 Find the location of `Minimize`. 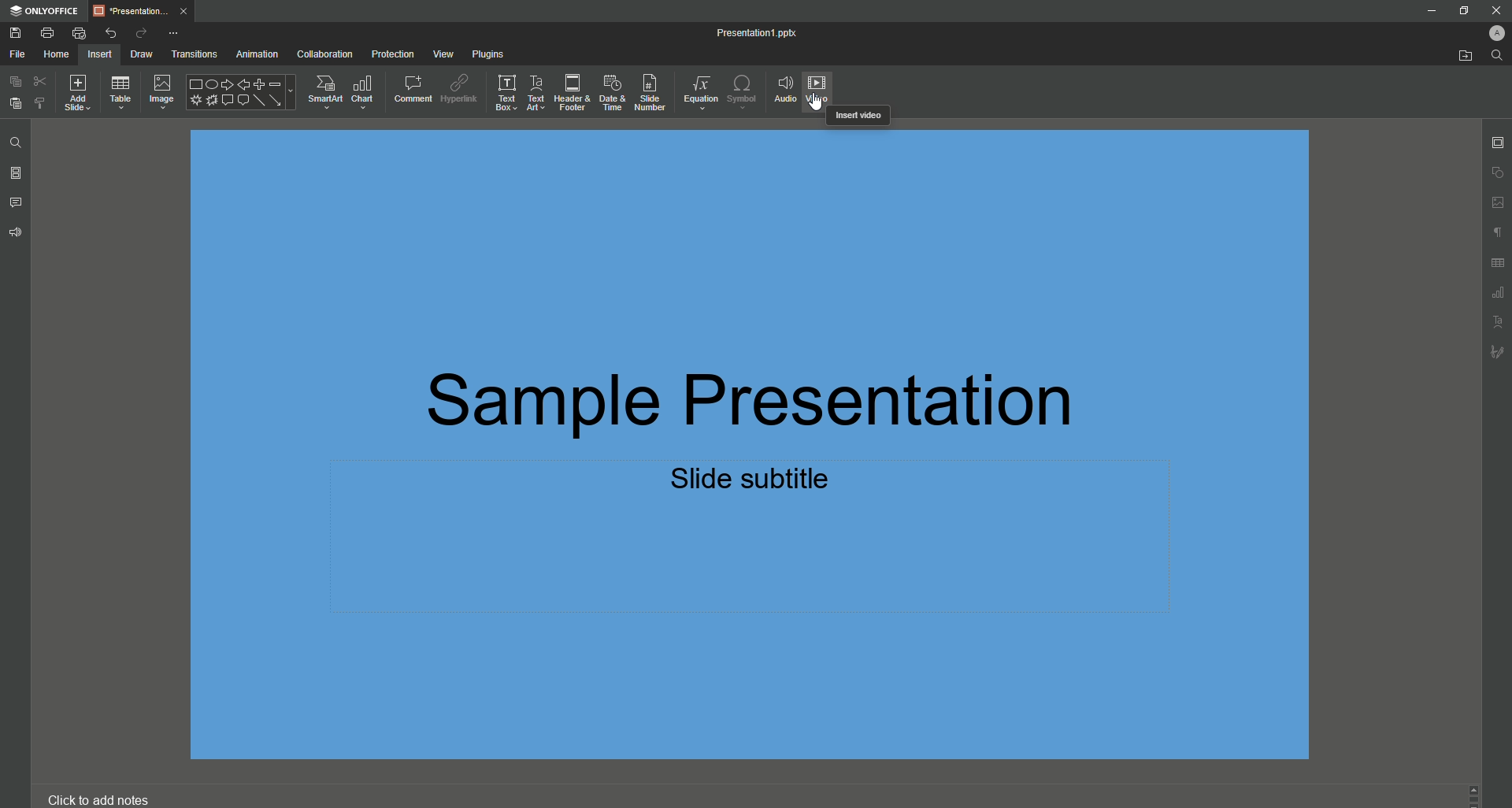

Minimize is located at coordinates (1429, 12).